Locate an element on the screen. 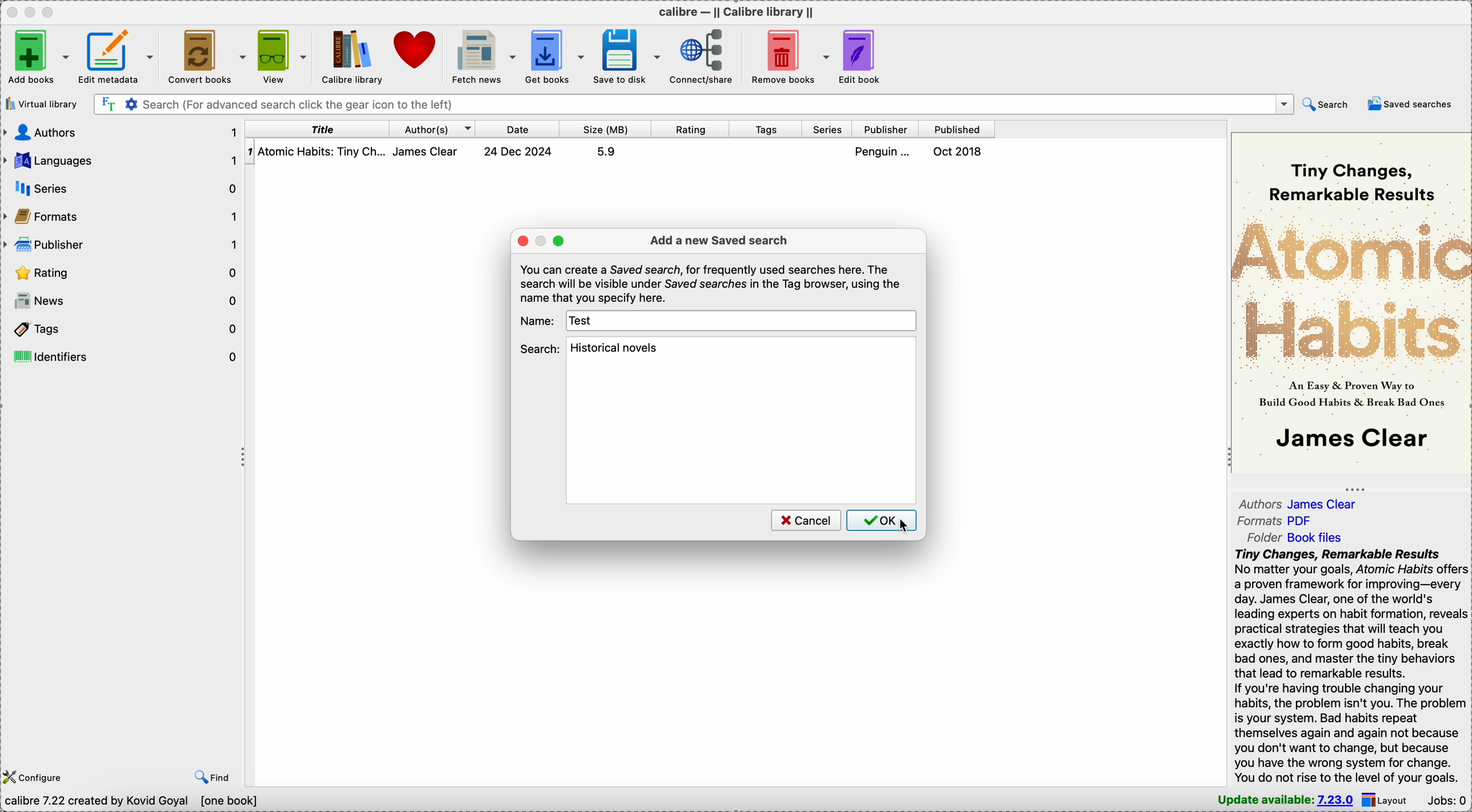  minimize is located at coordinates (33, 11).